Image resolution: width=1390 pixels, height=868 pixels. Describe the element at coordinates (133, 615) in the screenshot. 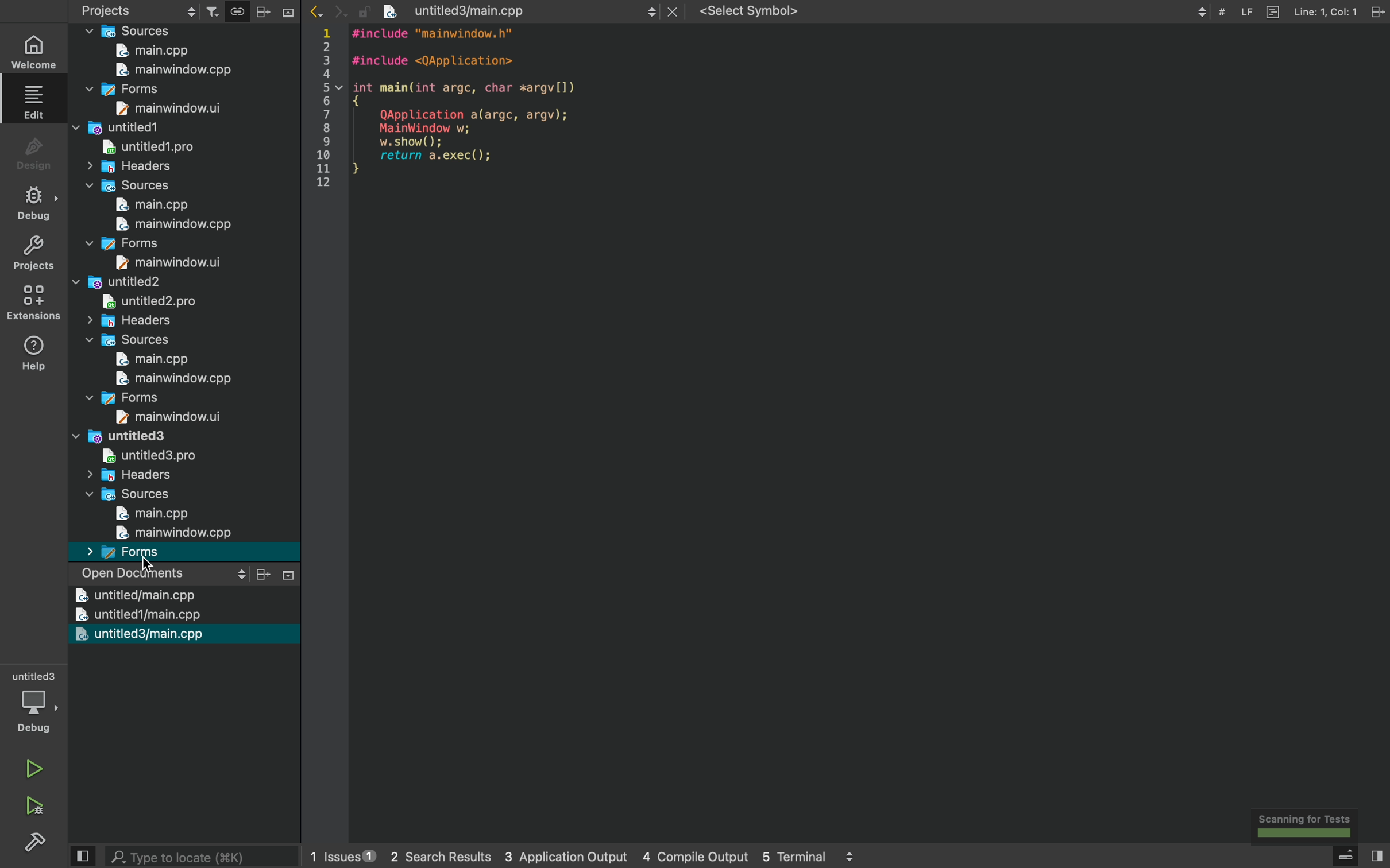

I see `untitled` at that location.